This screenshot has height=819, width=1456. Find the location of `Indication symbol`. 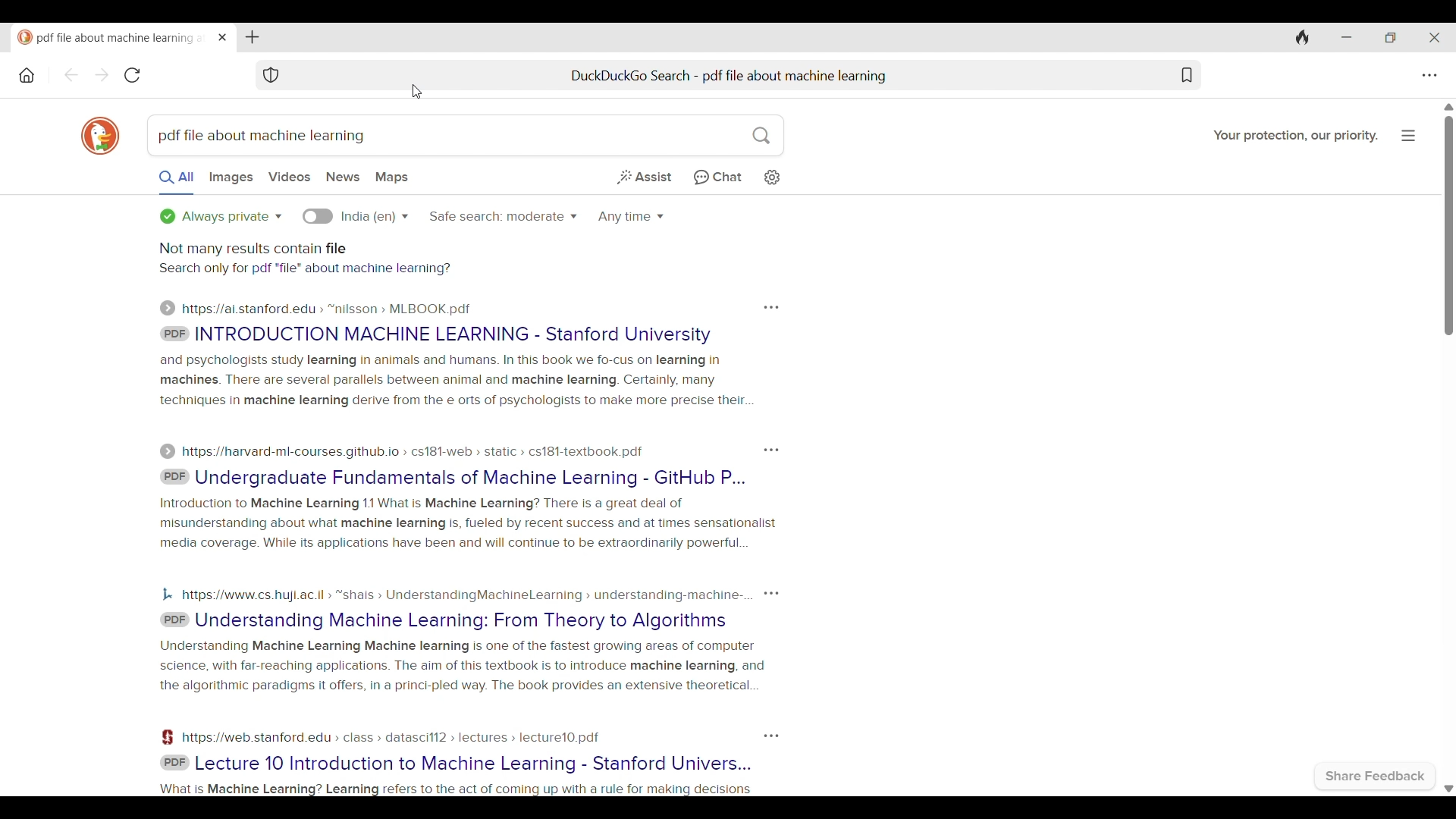

Indication symbol is located at coordinates (168, 452).